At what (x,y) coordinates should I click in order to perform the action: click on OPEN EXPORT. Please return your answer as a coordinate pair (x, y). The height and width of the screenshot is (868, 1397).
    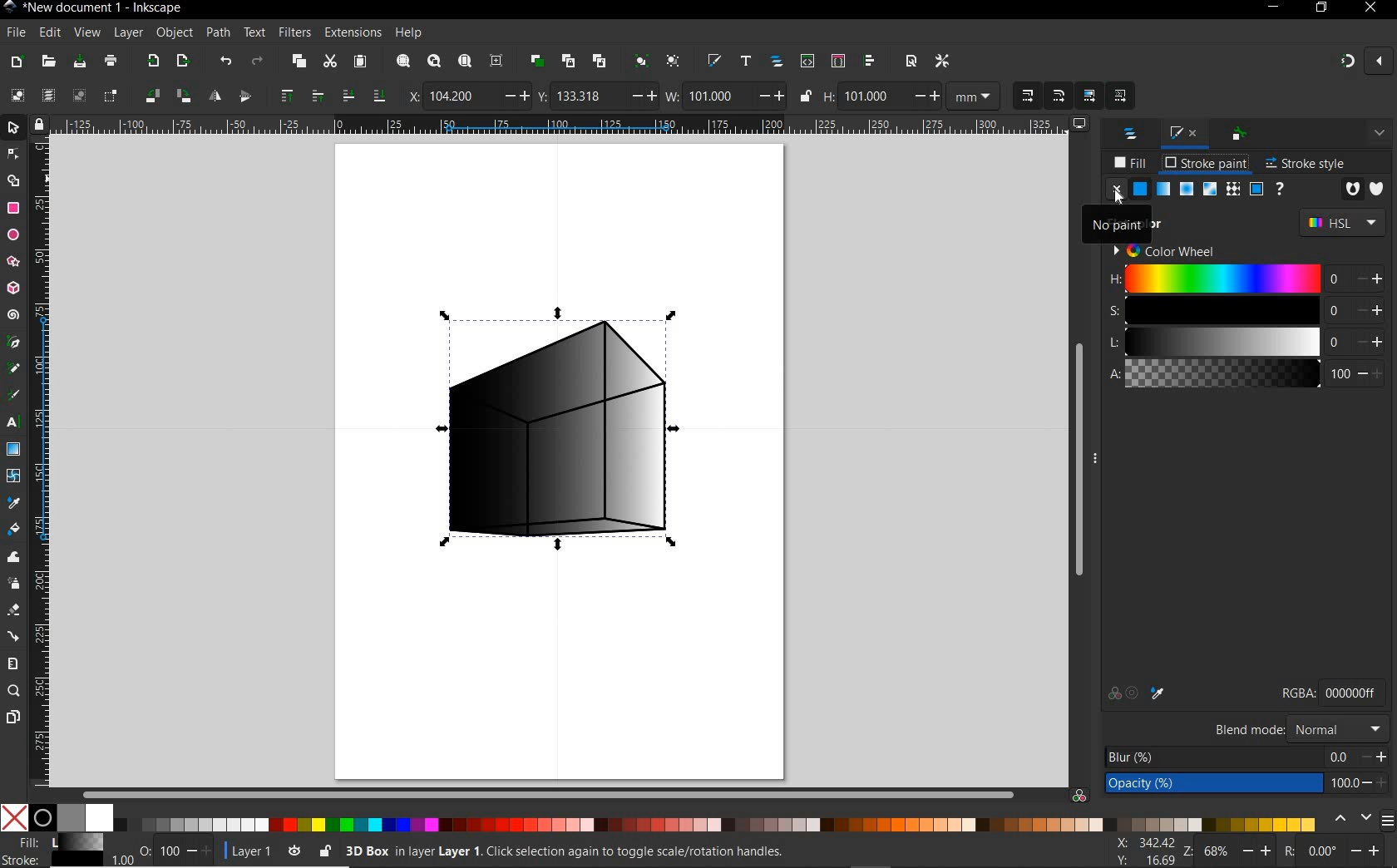
    Looking at the image, I should click on (183, 62).